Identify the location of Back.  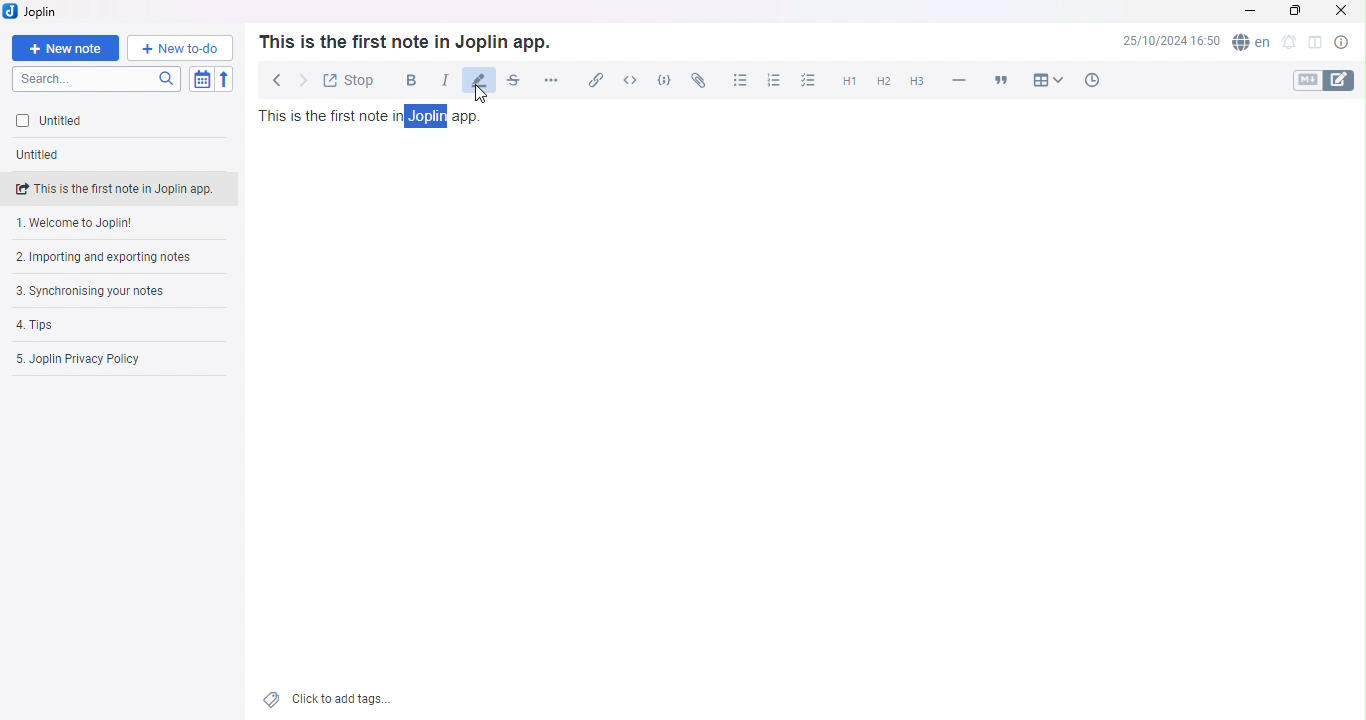
(272, 76).